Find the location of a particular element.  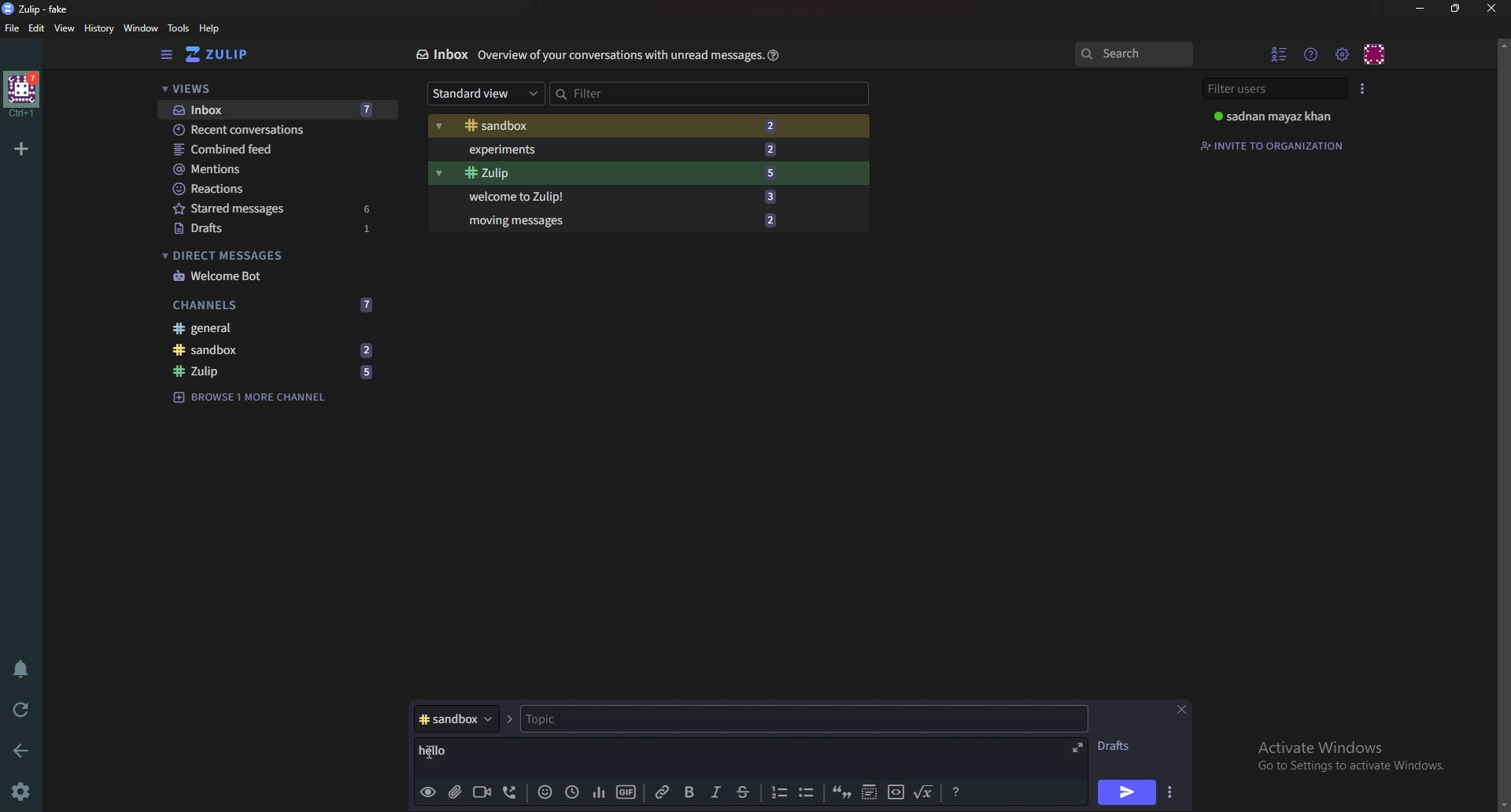

zulip-fake is located at coordinates (41, 9).